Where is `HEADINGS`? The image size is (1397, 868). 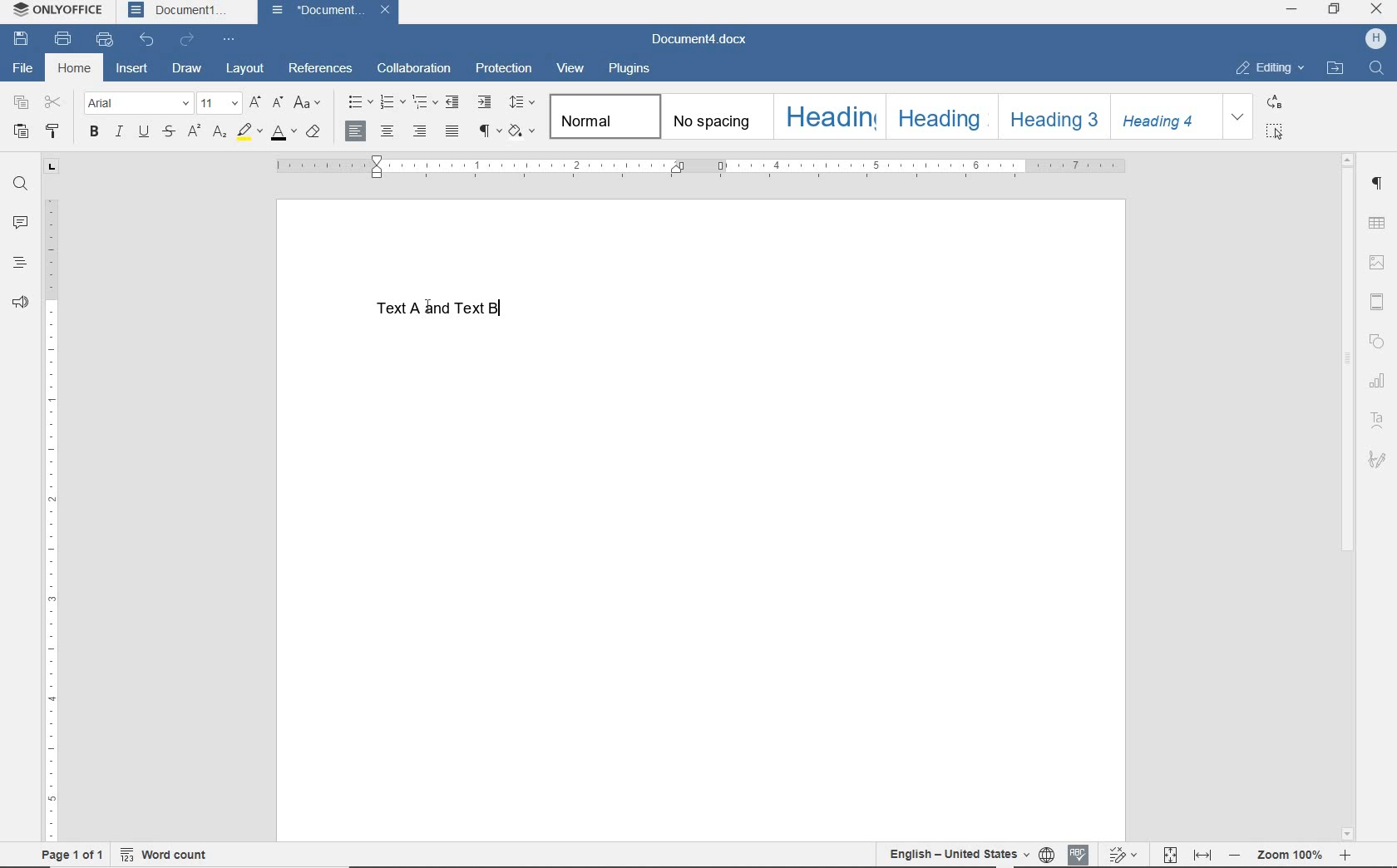
HEADINGS is located at coordinates (20, 260).